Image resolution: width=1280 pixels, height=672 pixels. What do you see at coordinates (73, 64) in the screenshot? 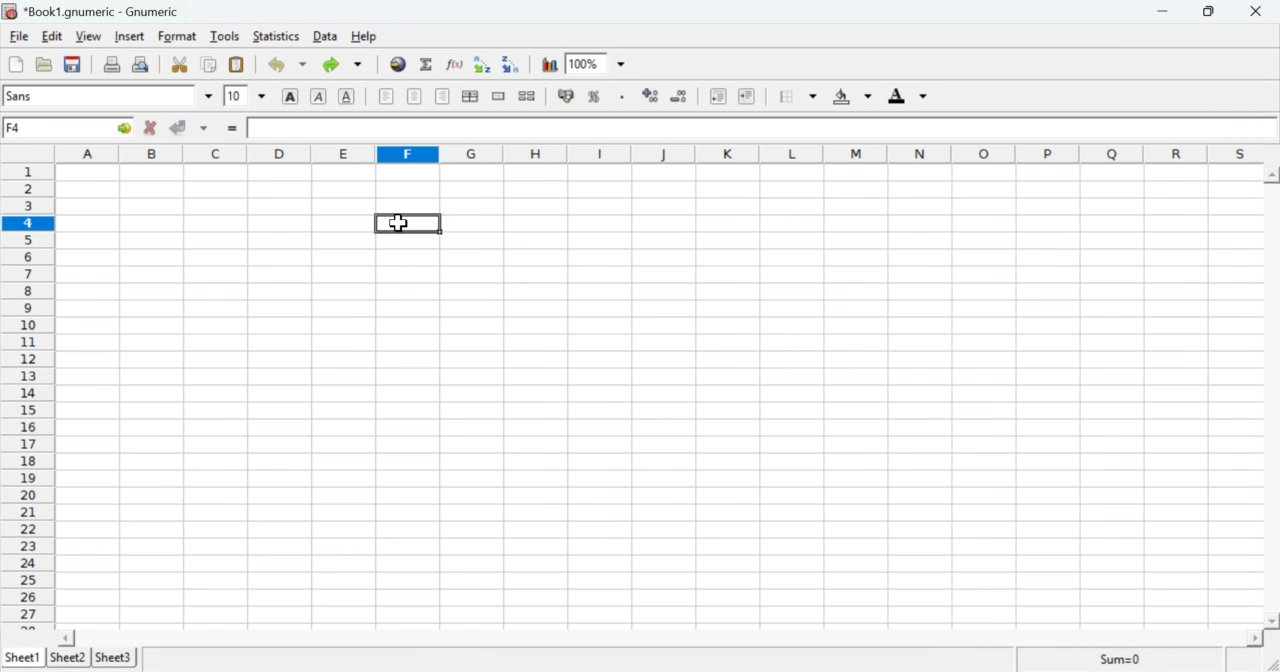
I see `Save` at bounding box center [73, 64].